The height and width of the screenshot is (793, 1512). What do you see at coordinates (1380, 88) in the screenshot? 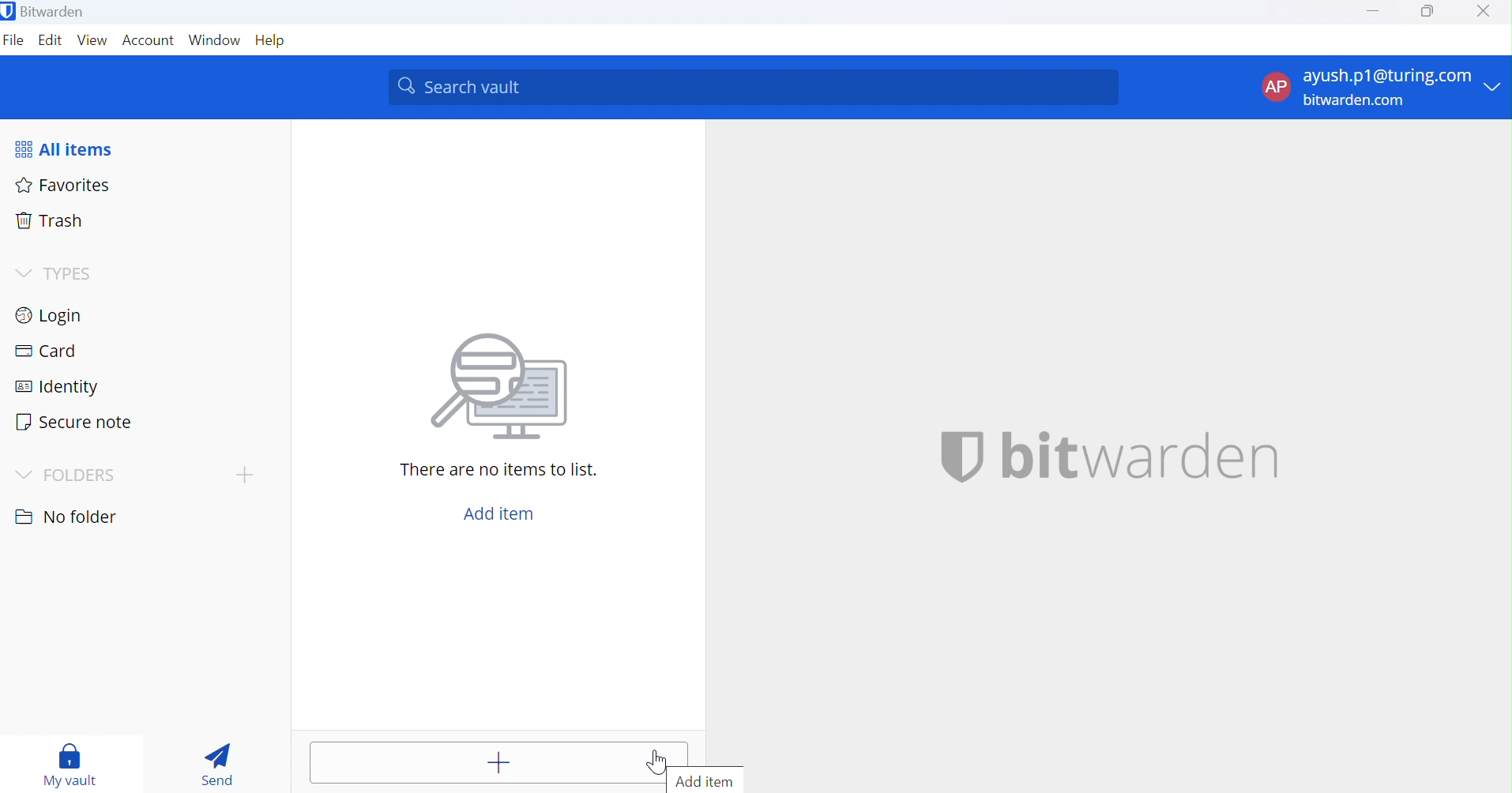
I see `account menu` at bounding box center [1380, 88].